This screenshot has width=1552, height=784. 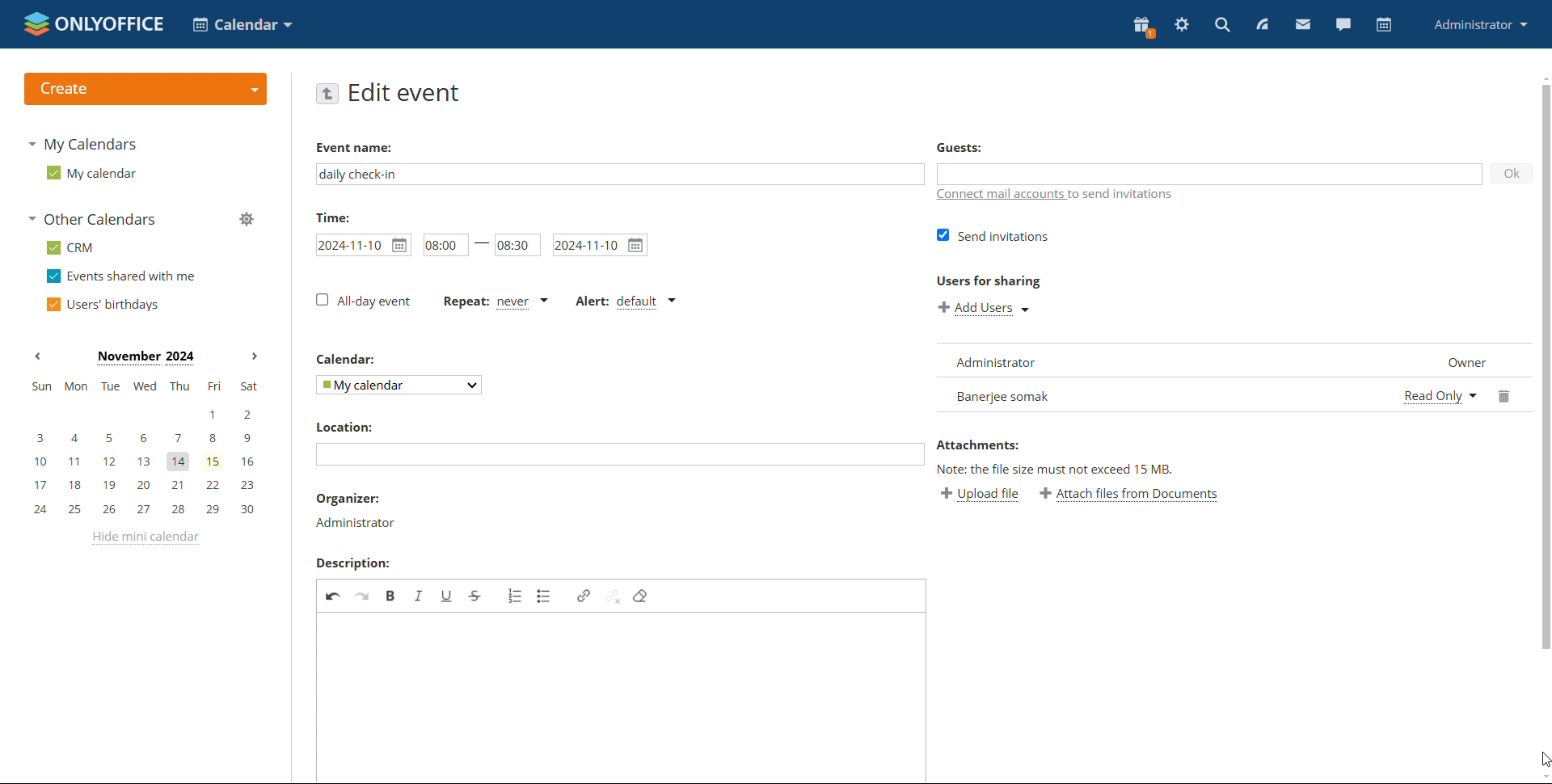 What do you see at coordinates (623, 698) in the screenshot?
I see `add description` at bounding box center [623, 698].